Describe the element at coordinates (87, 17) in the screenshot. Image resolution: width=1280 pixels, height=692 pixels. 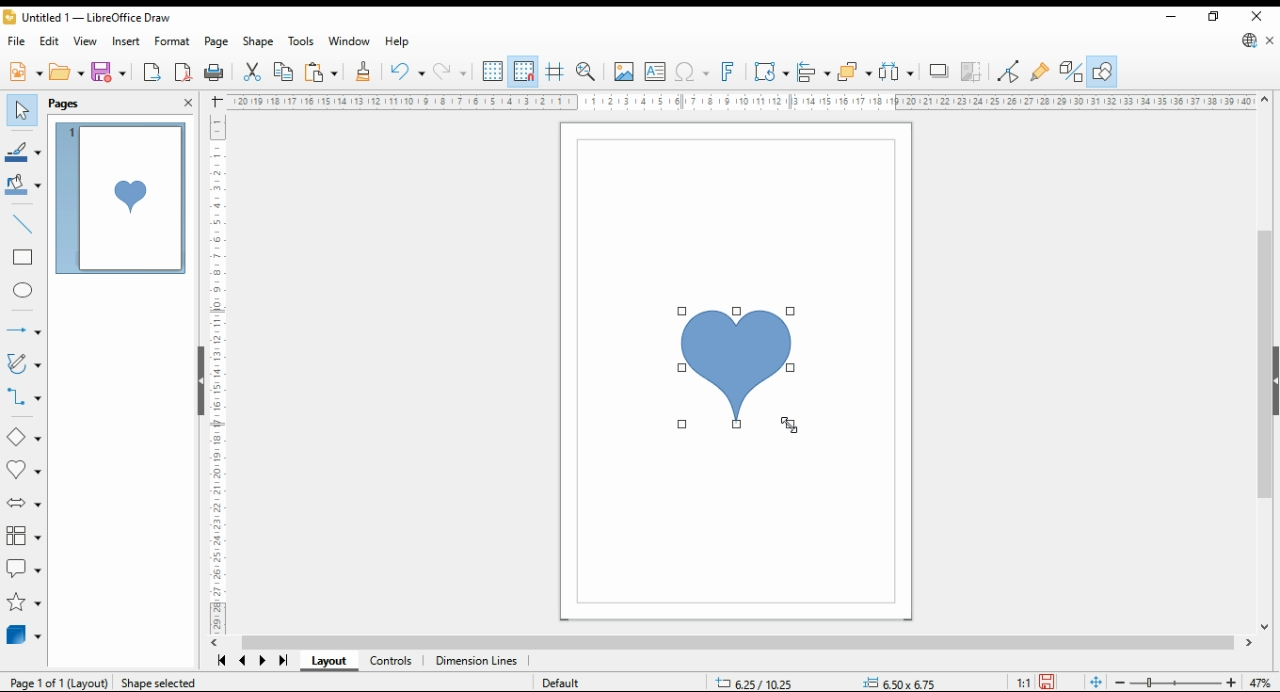
I see `icon and filename` at that location.